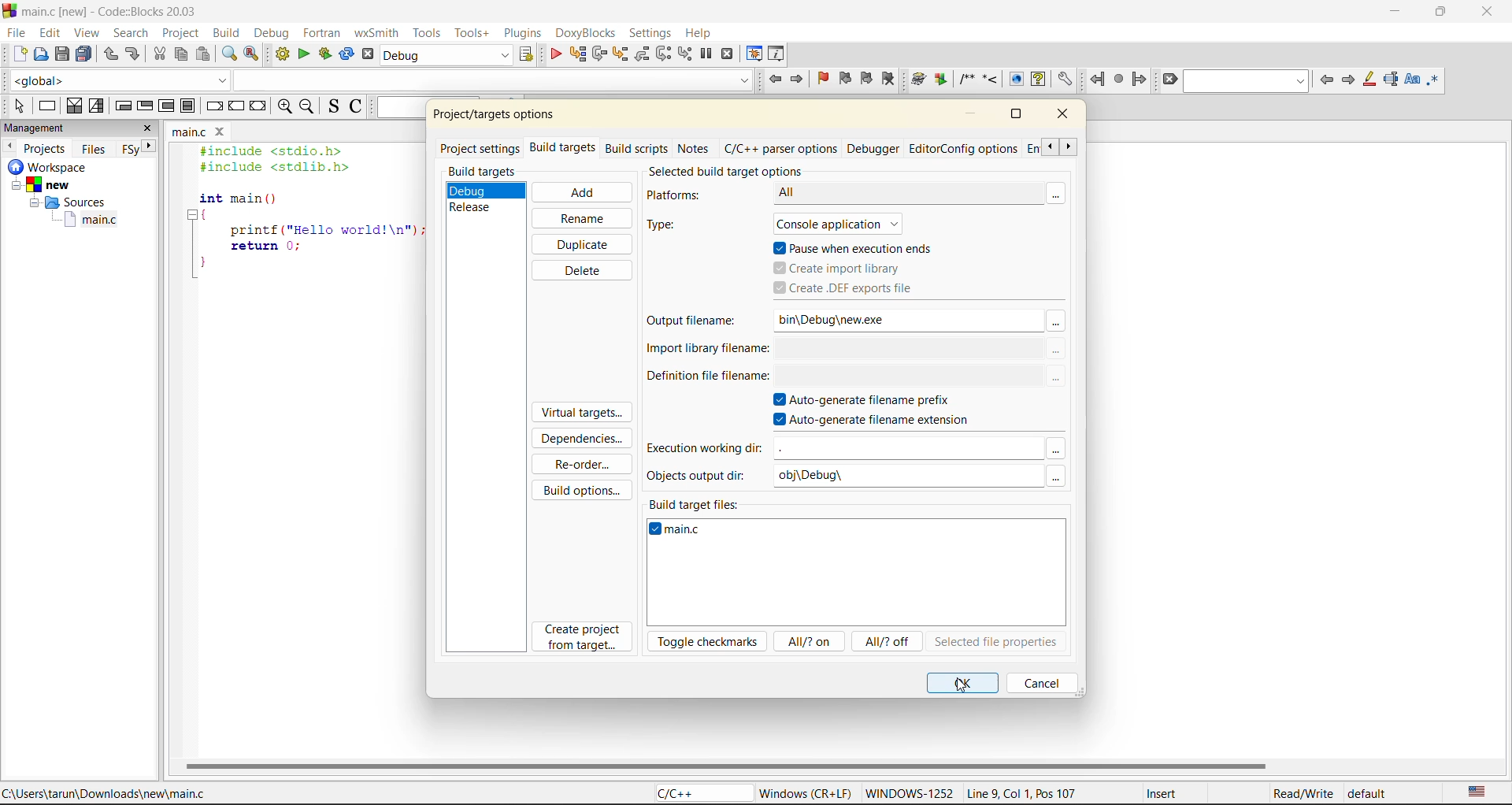 This screenshot has width=1512, height=805. I want to click on Windows (CR + LF), so click(806, 792).